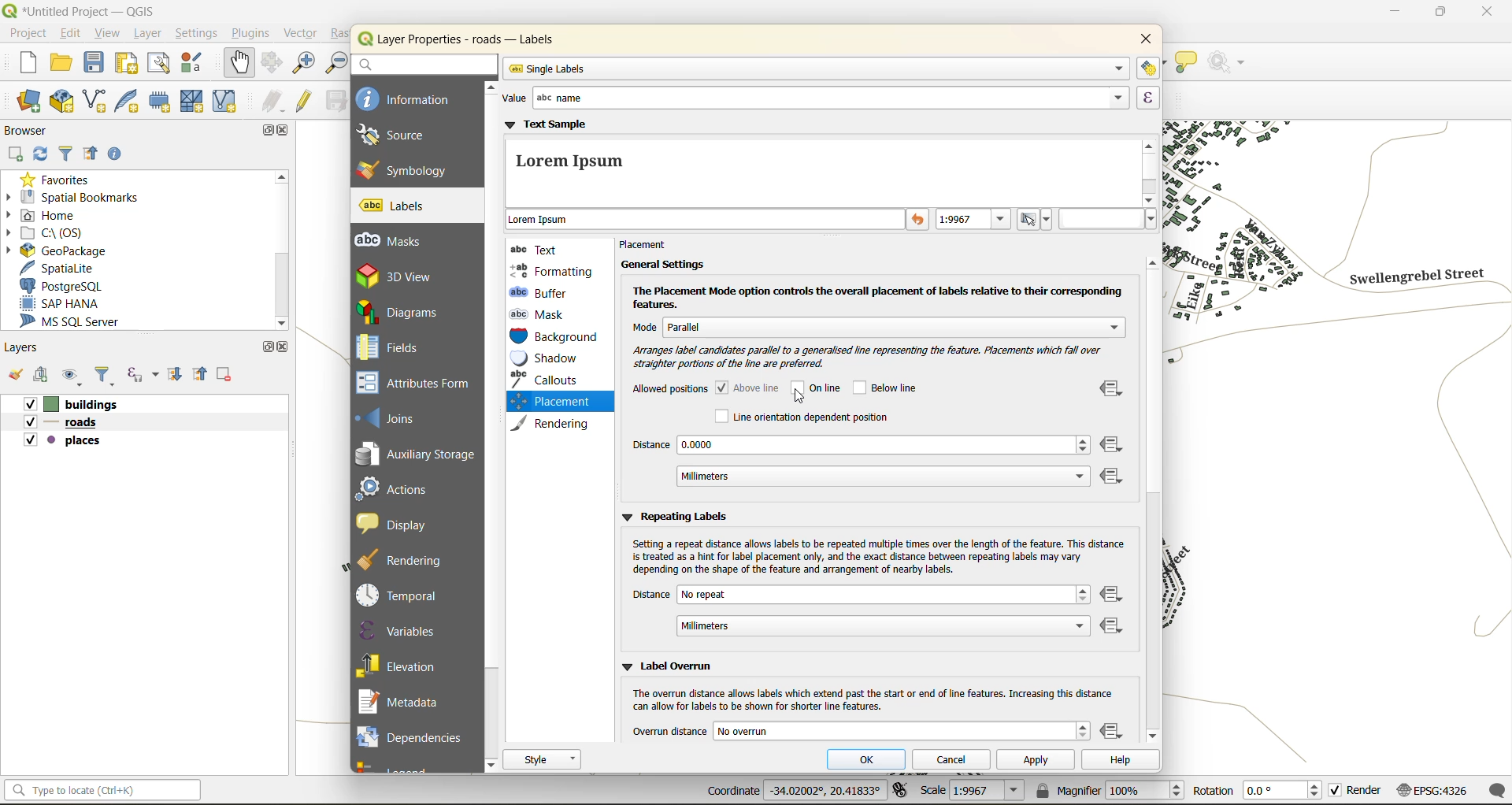  I want to click on text, so click(538, 249).